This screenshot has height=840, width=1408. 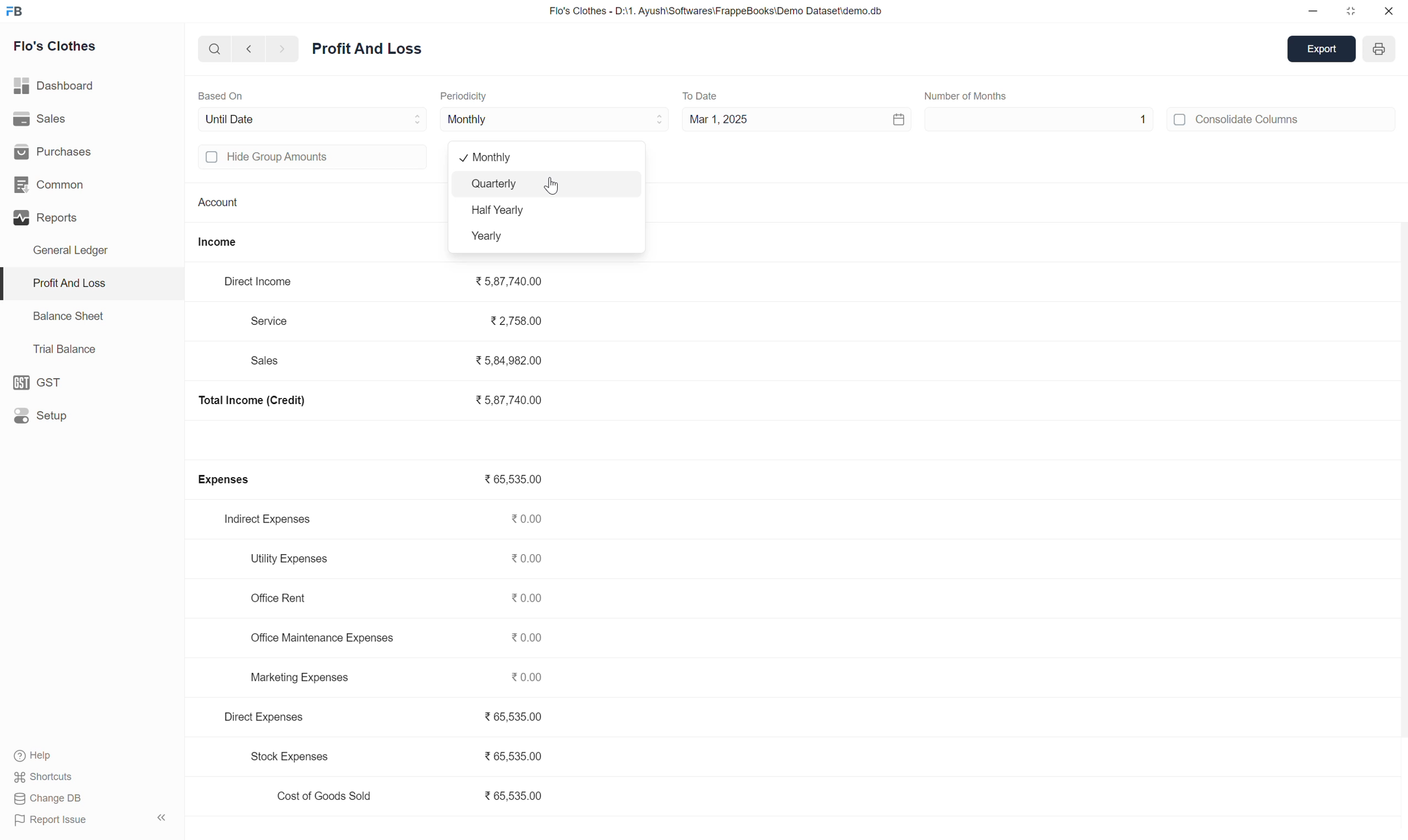 I want to click on Profit and Loss, so click(x=371, y=52).